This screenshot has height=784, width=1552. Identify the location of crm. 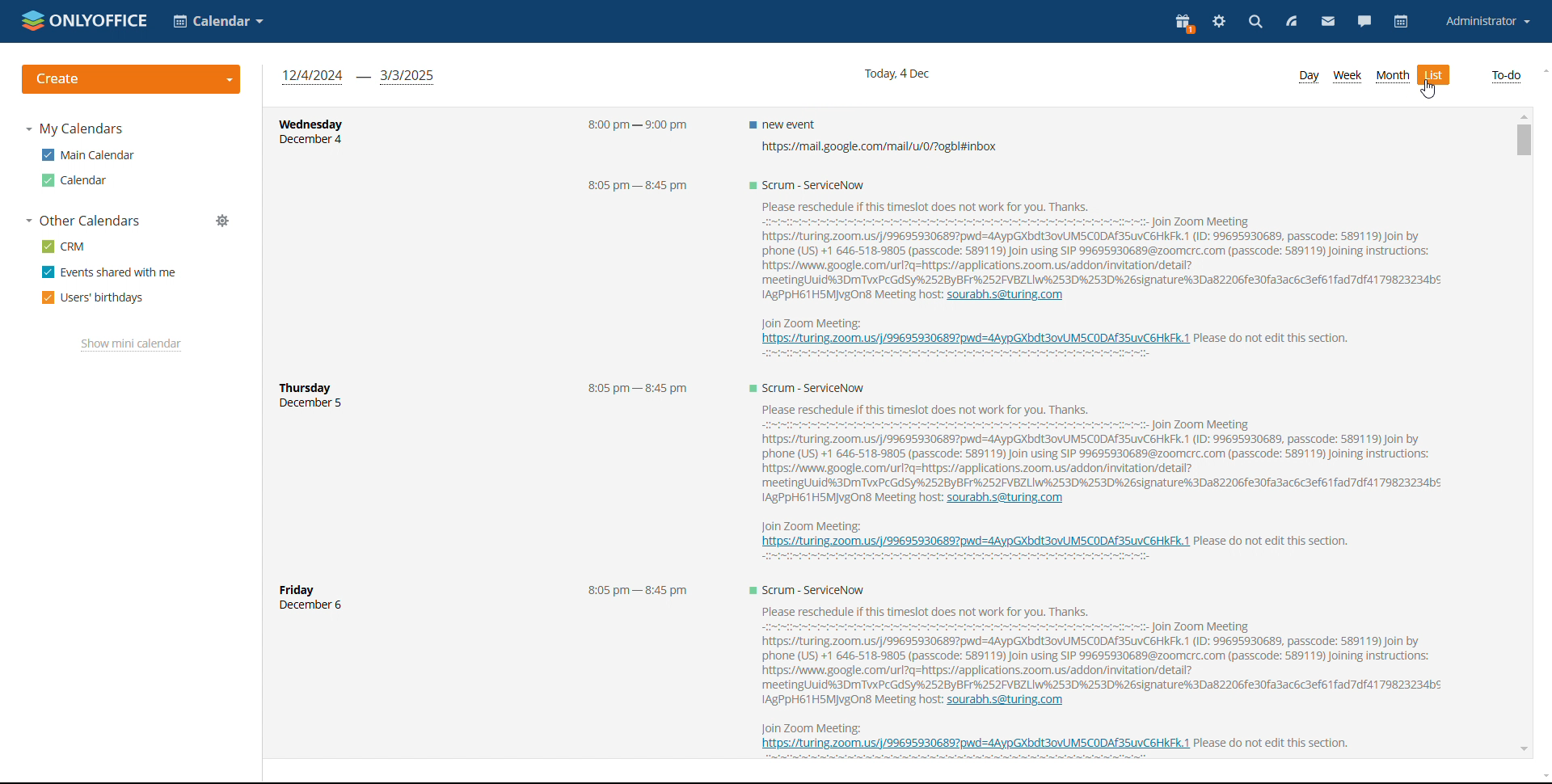
(63, 247).